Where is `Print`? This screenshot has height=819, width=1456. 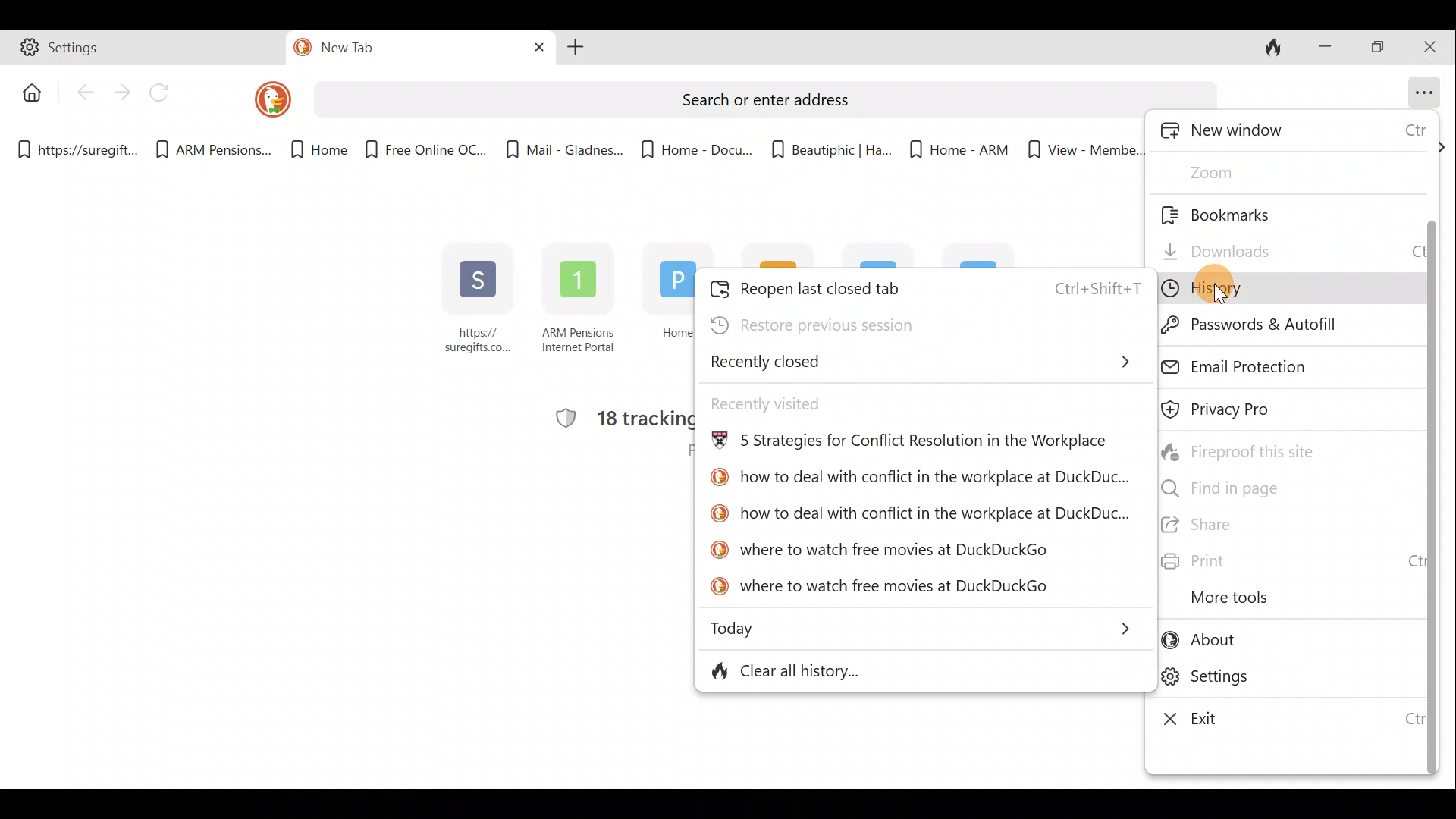
Print is located at coordinates (1285, 562).